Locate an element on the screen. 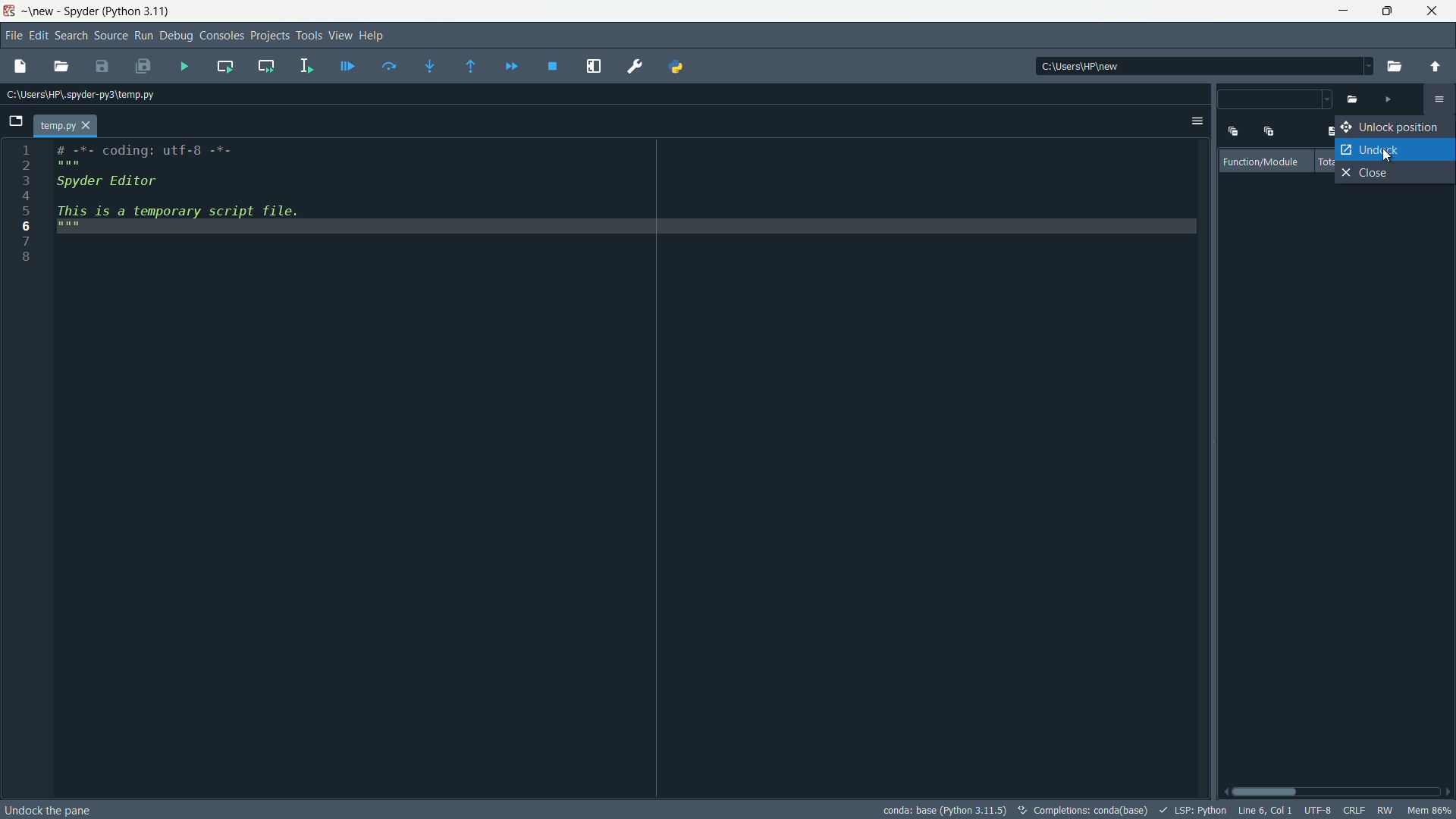  options is located at coordinates (1197, 121).